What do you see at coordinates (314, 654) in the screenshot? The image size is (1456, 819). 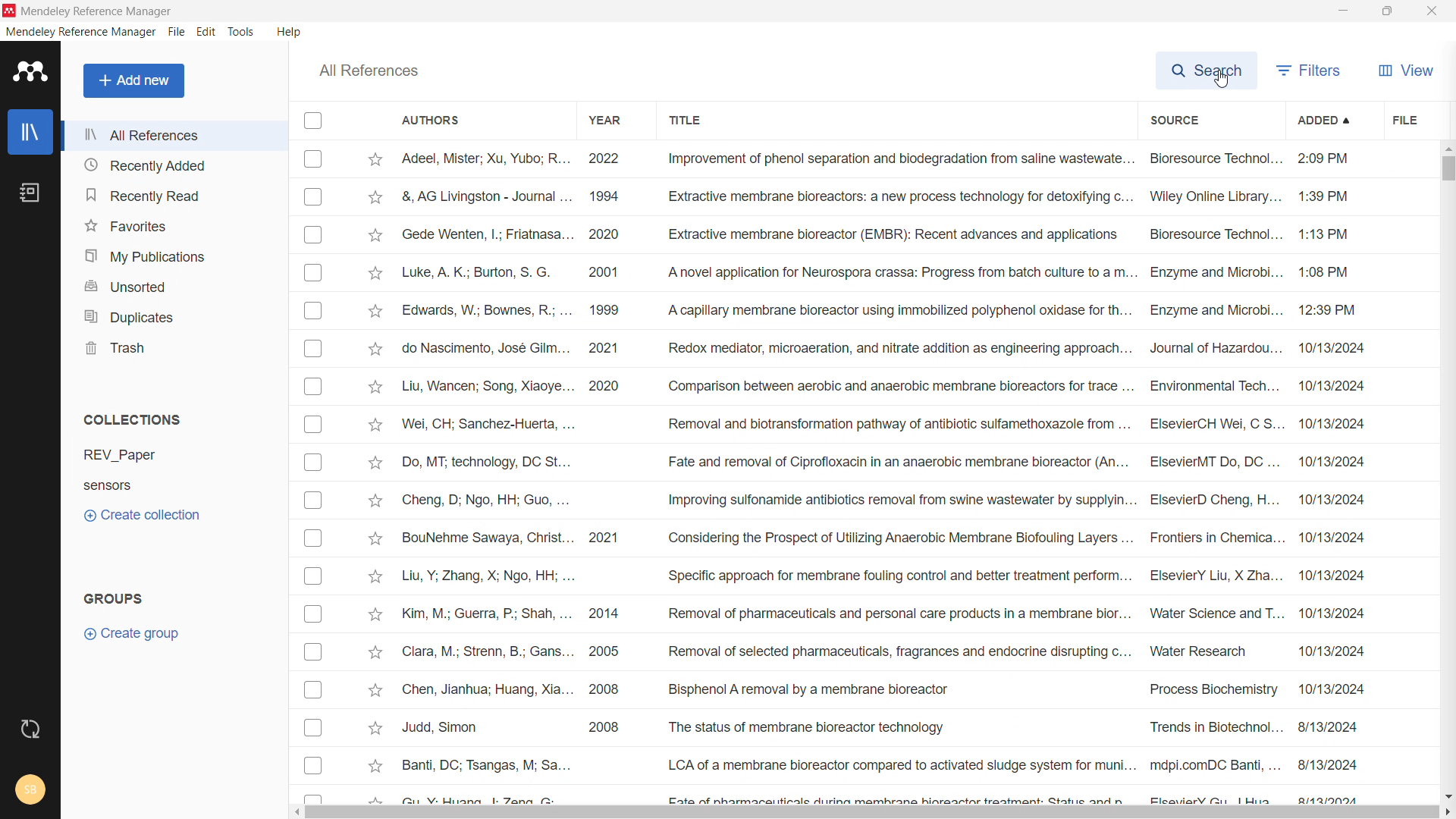 I see `Checkbox` at bounding box center [314, 654].